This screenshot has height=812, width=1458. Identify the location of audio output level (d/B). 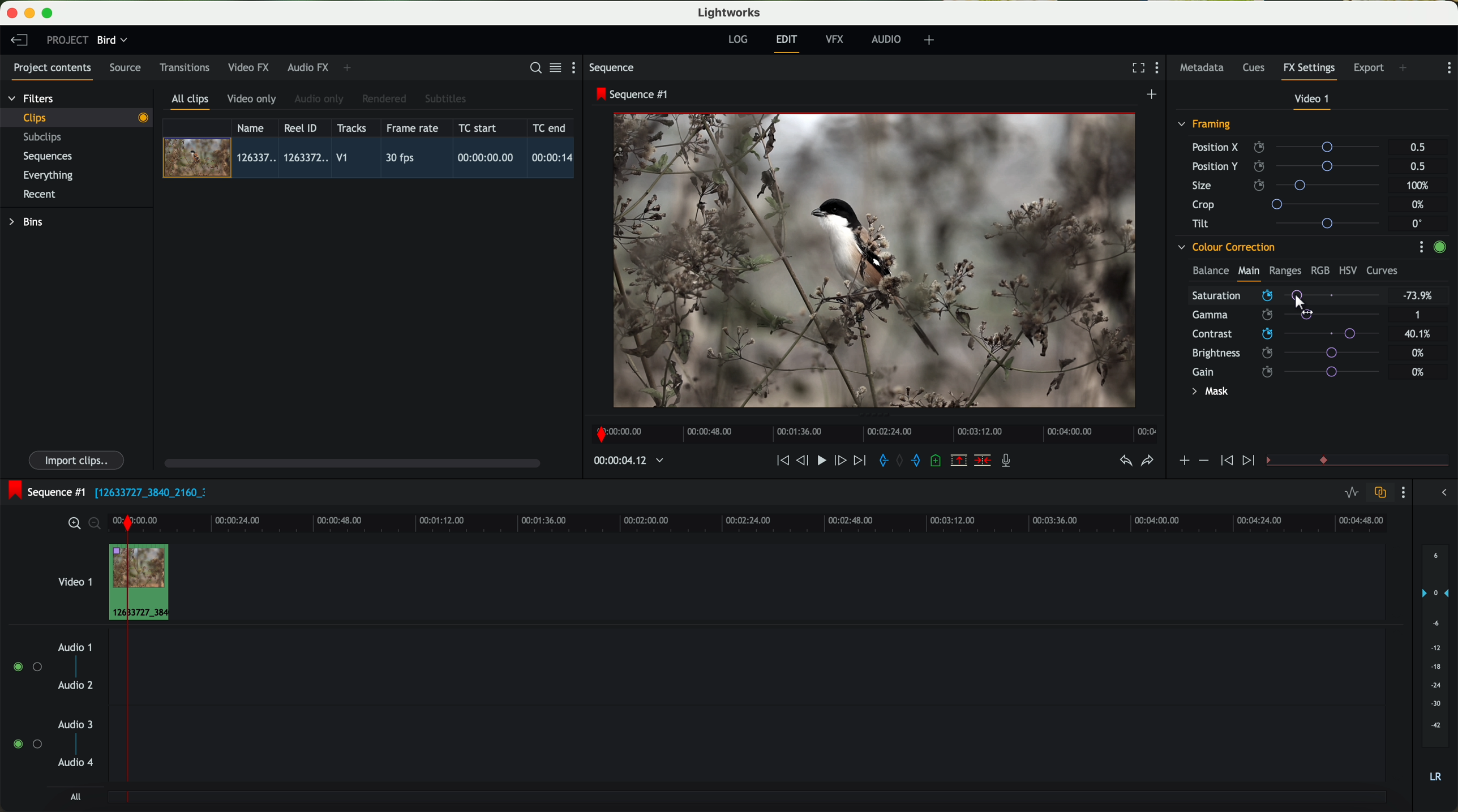
(1436, 667).